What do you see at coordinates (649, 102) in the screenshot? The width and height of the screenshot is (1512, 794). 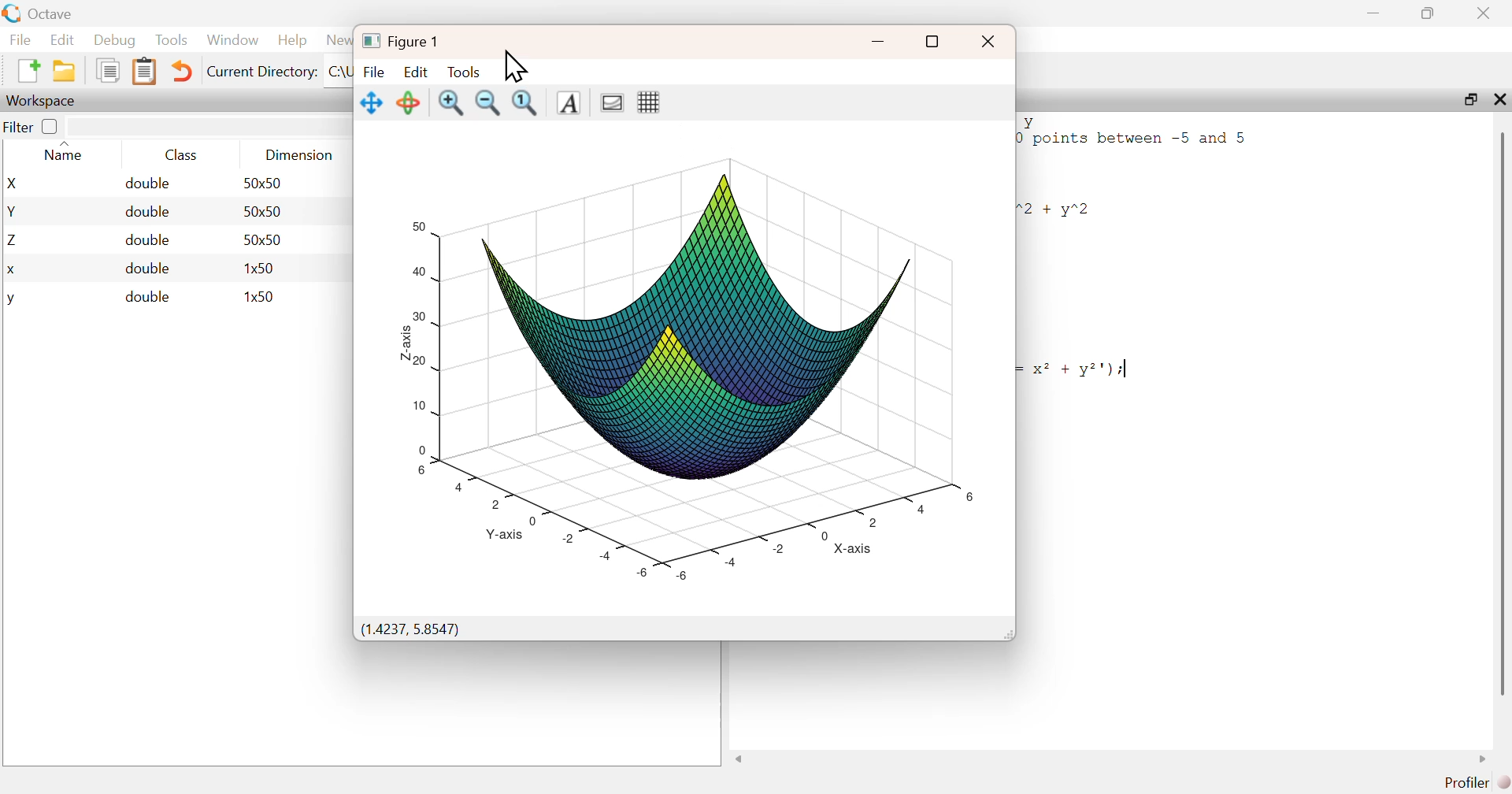 I see `Grid` at bounding box center [649, 102].